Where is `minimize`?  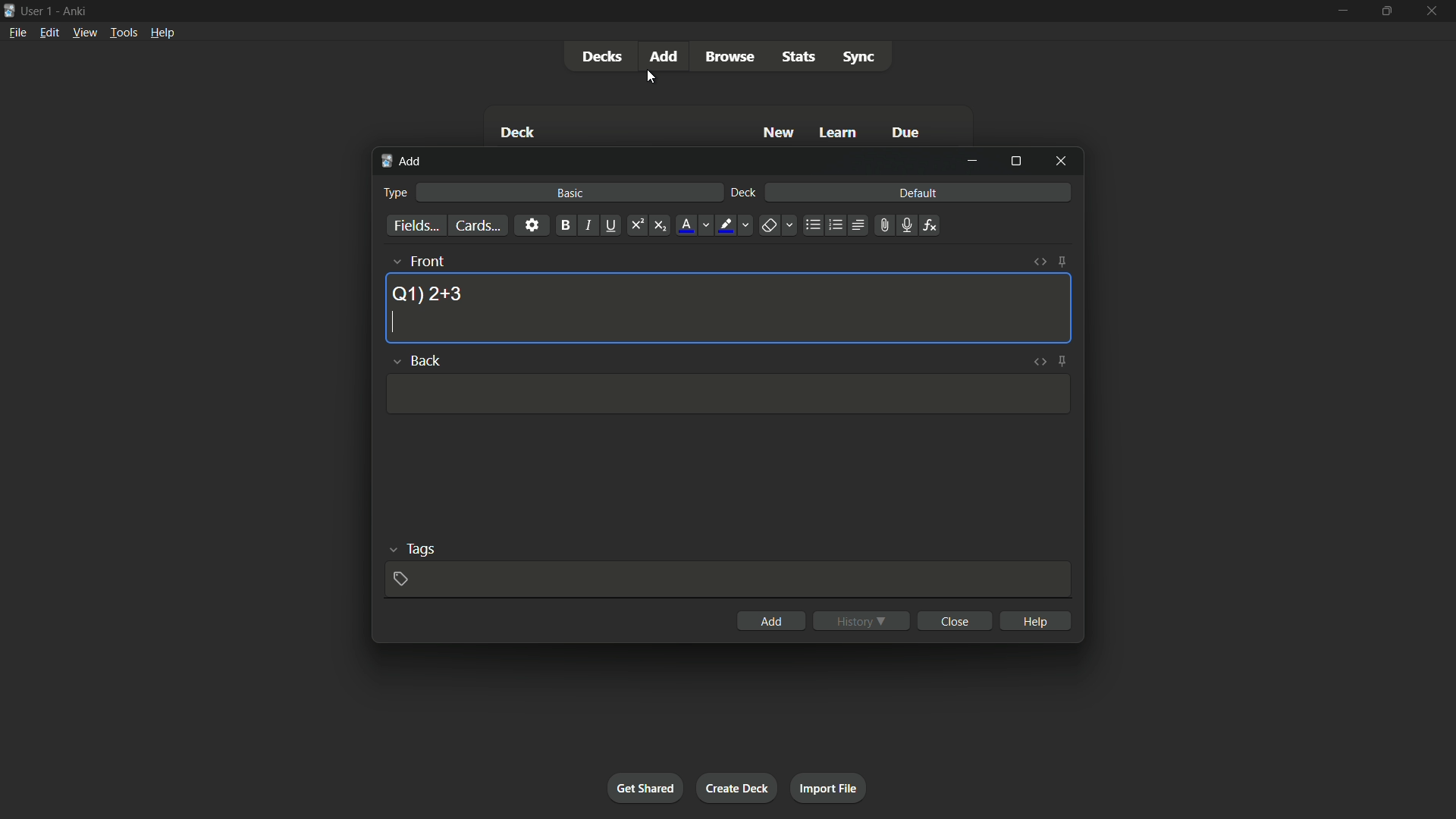 minimize is located at coordinates (972, 161).